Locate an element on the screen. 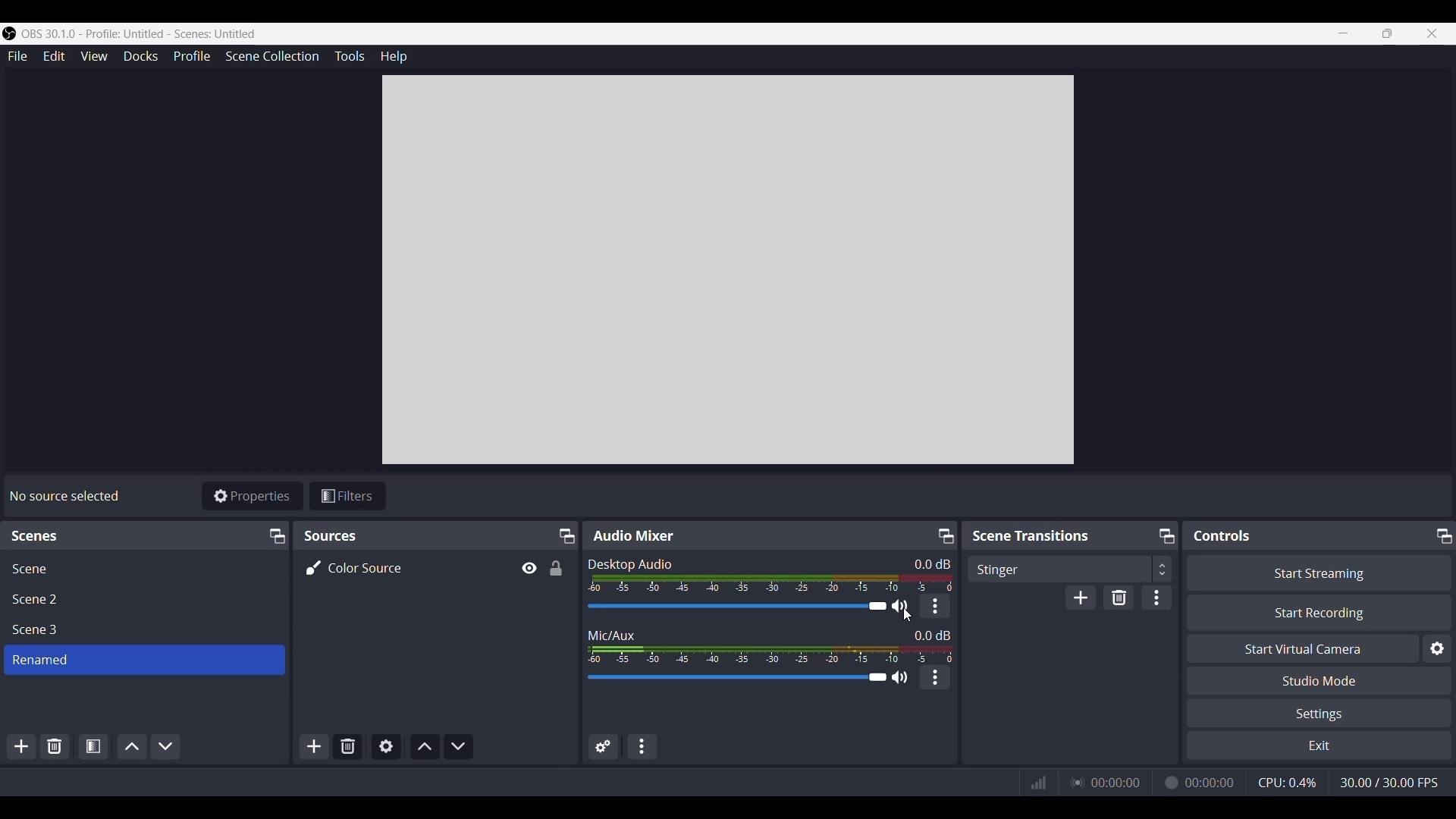 This screenshot has width=1456, height=819. Desktop Audio is located at coordinates (631, 563).